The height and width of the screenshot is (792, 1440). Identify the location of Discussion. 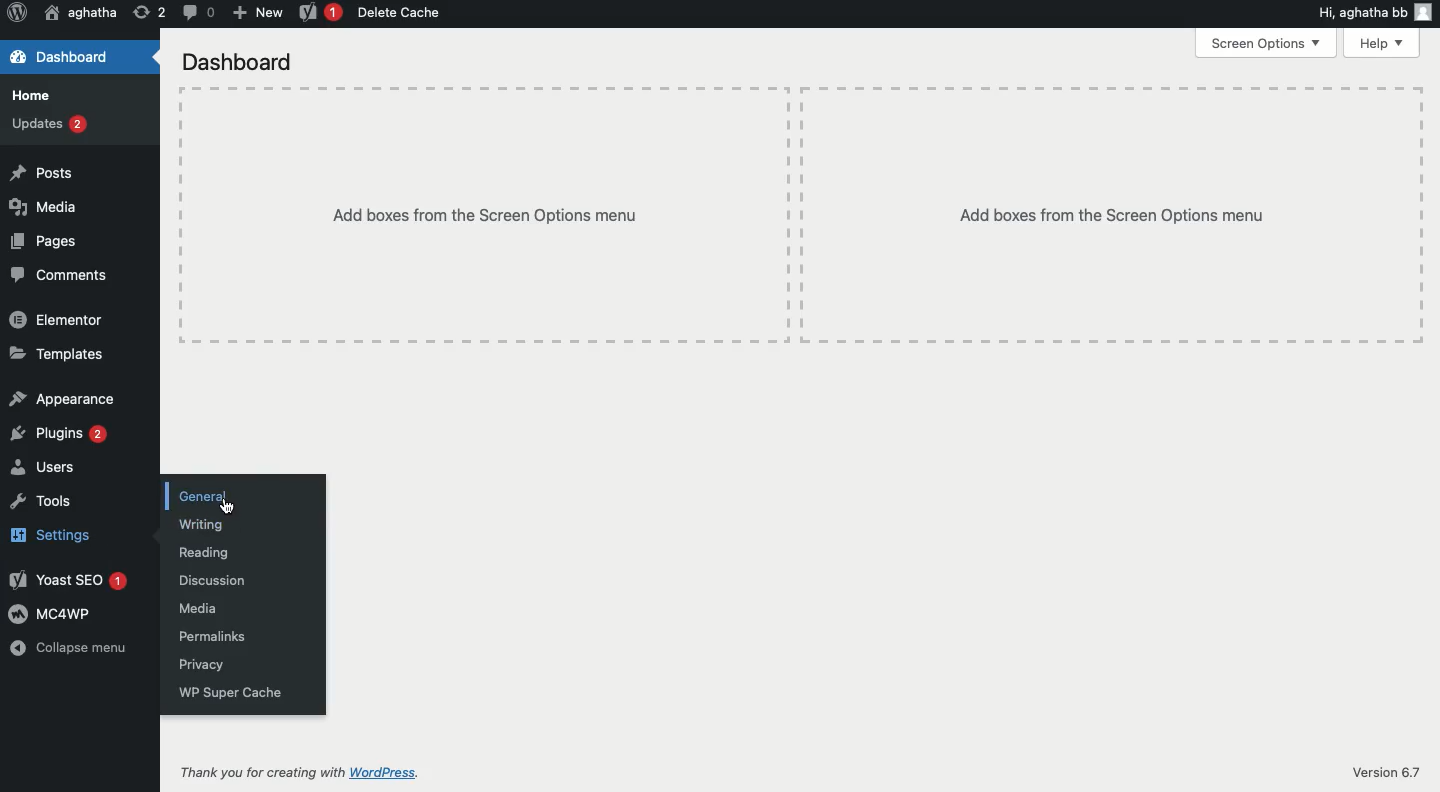
(210, 582).